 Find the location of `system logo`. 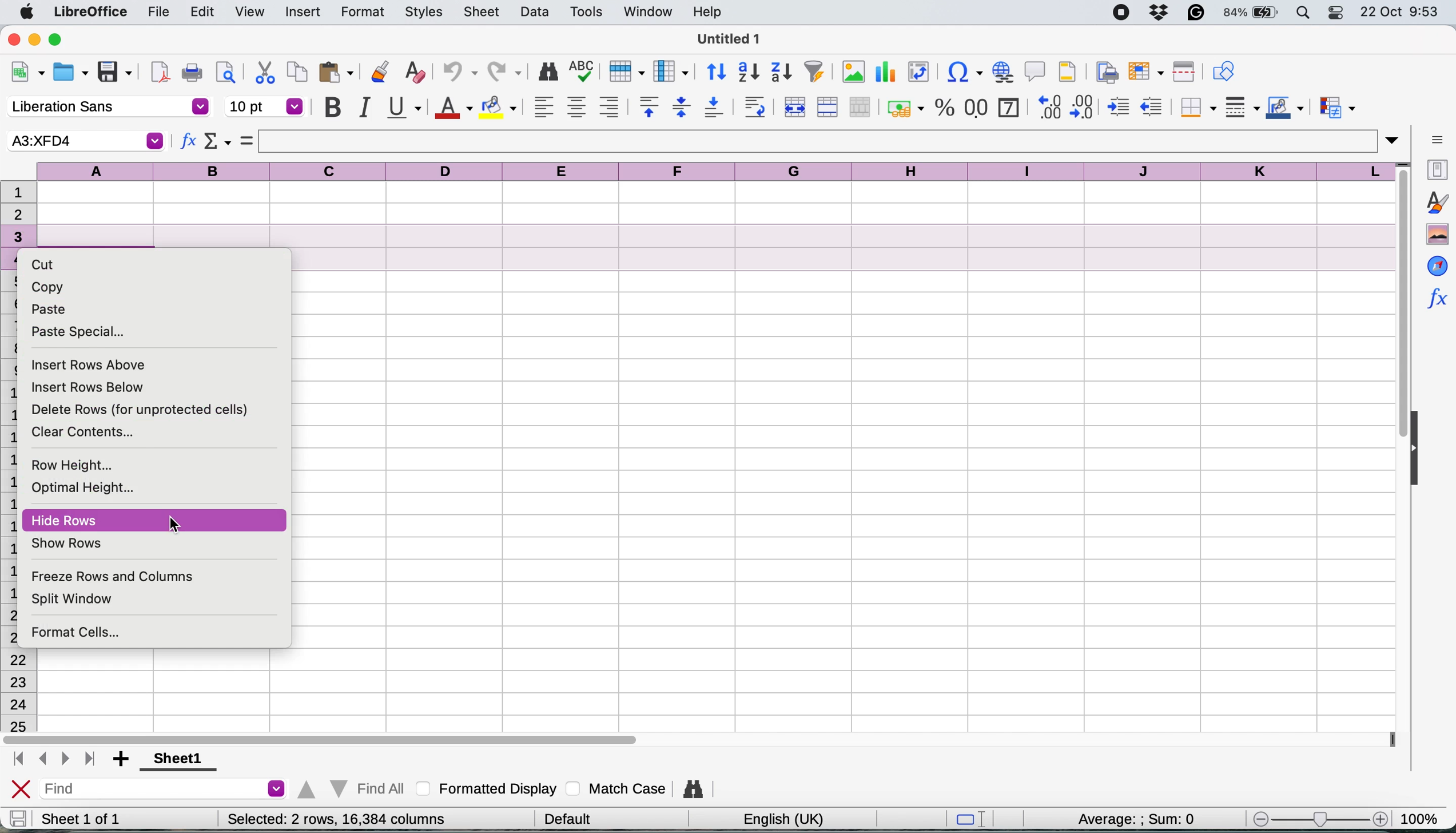

system logo is located at coordinates (29, 13).